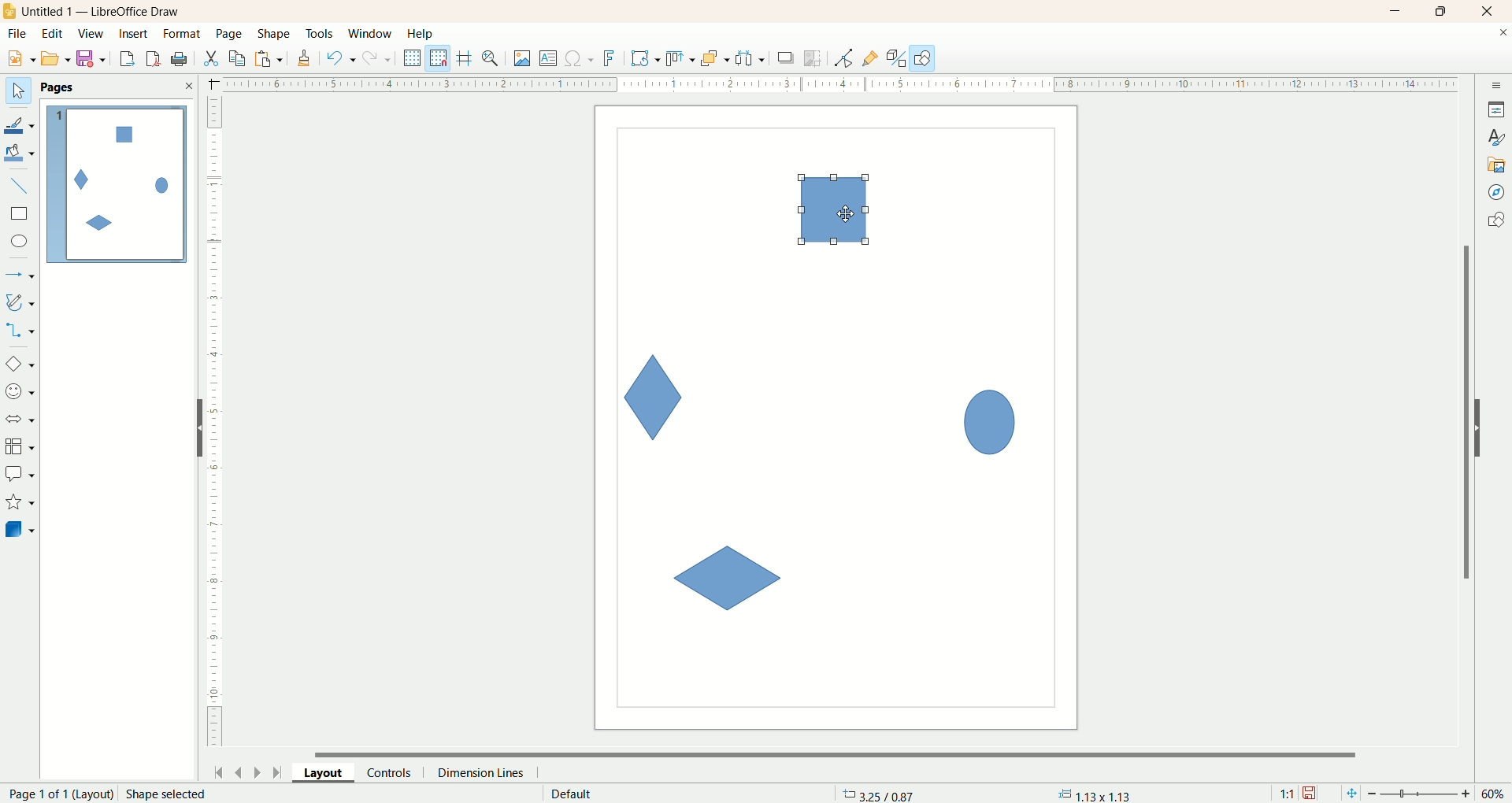 Image resolution: width=1512 pixels, height=803 pixels. What do you see at coordinates (726, 579) in the screenshot?
I see `unselected shape` at bounding box center [726, 579].